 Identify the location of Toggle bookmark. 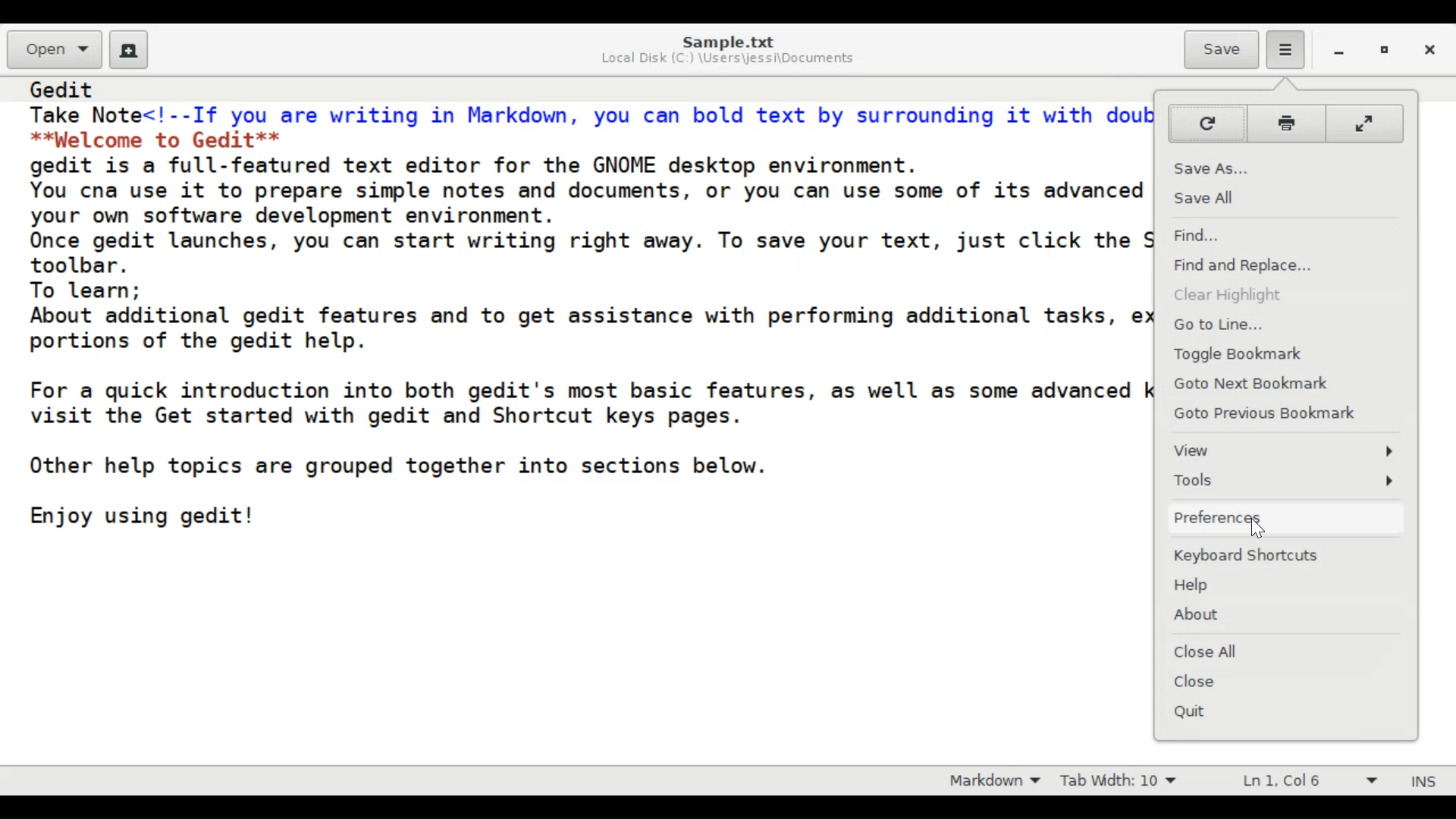
(1244, 354).